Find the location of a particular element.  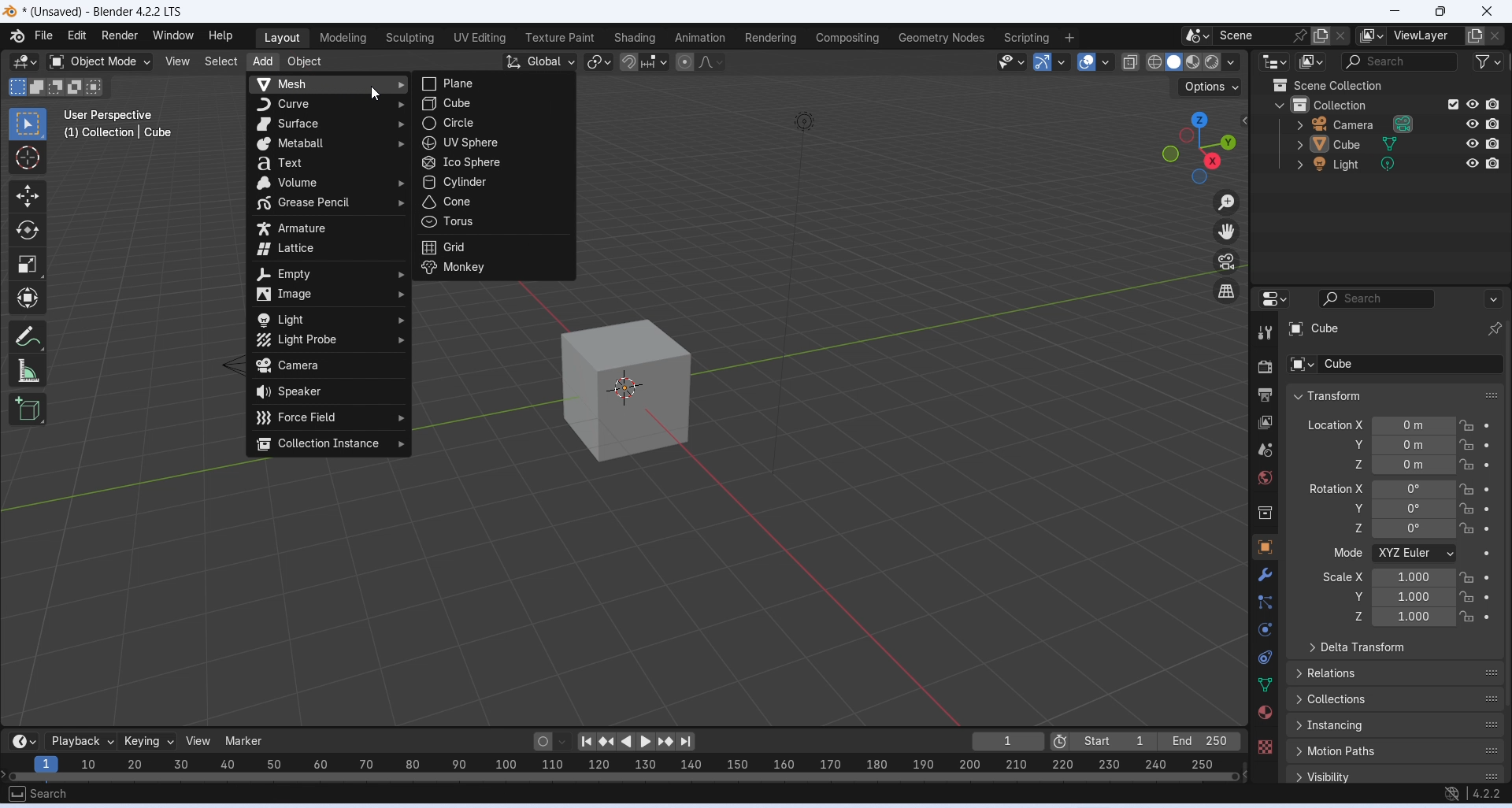

shading is located at coordinates (1232, 62).